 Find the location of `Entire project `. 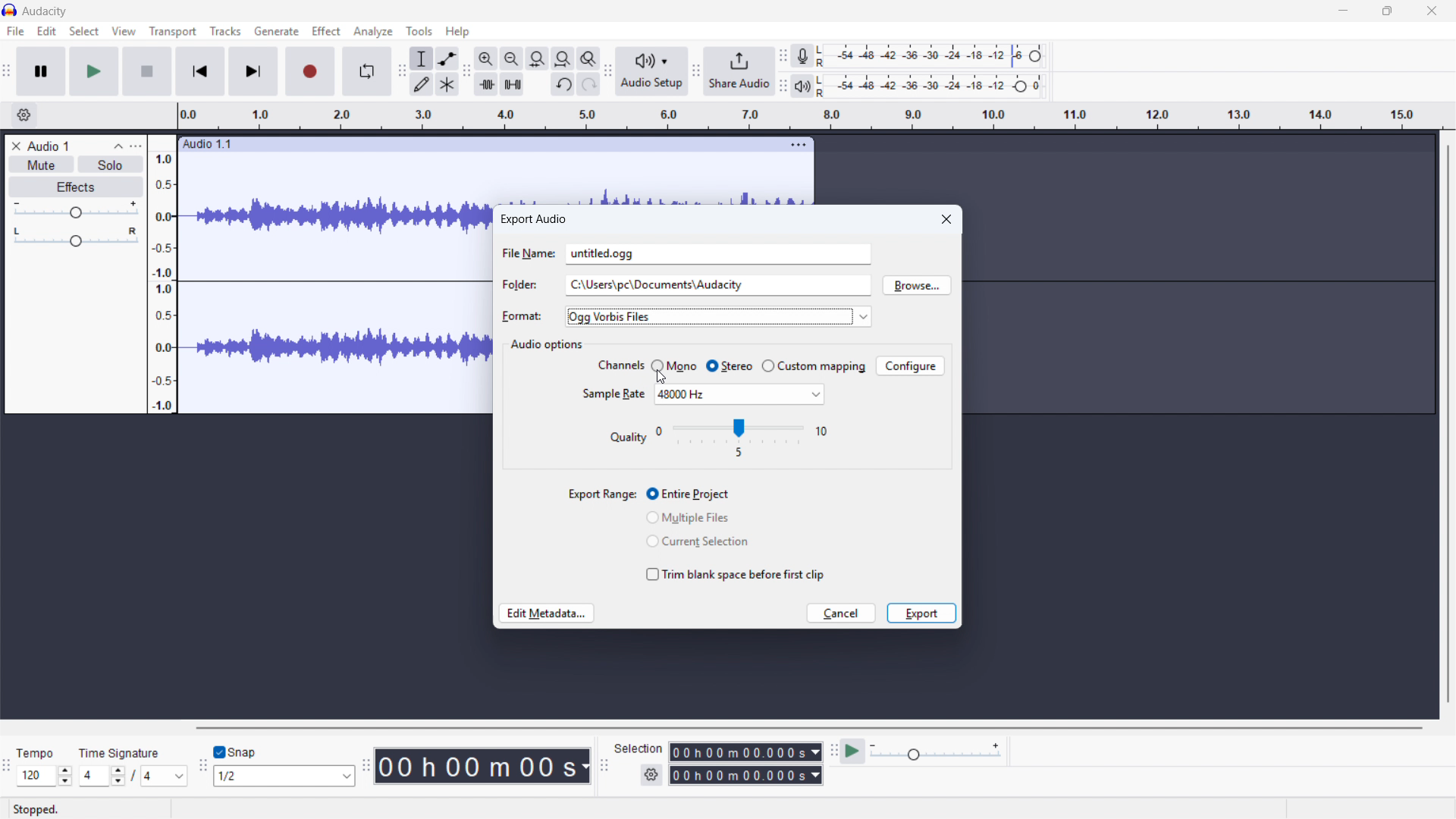

Entire project  is located at coordinates (689, 494).